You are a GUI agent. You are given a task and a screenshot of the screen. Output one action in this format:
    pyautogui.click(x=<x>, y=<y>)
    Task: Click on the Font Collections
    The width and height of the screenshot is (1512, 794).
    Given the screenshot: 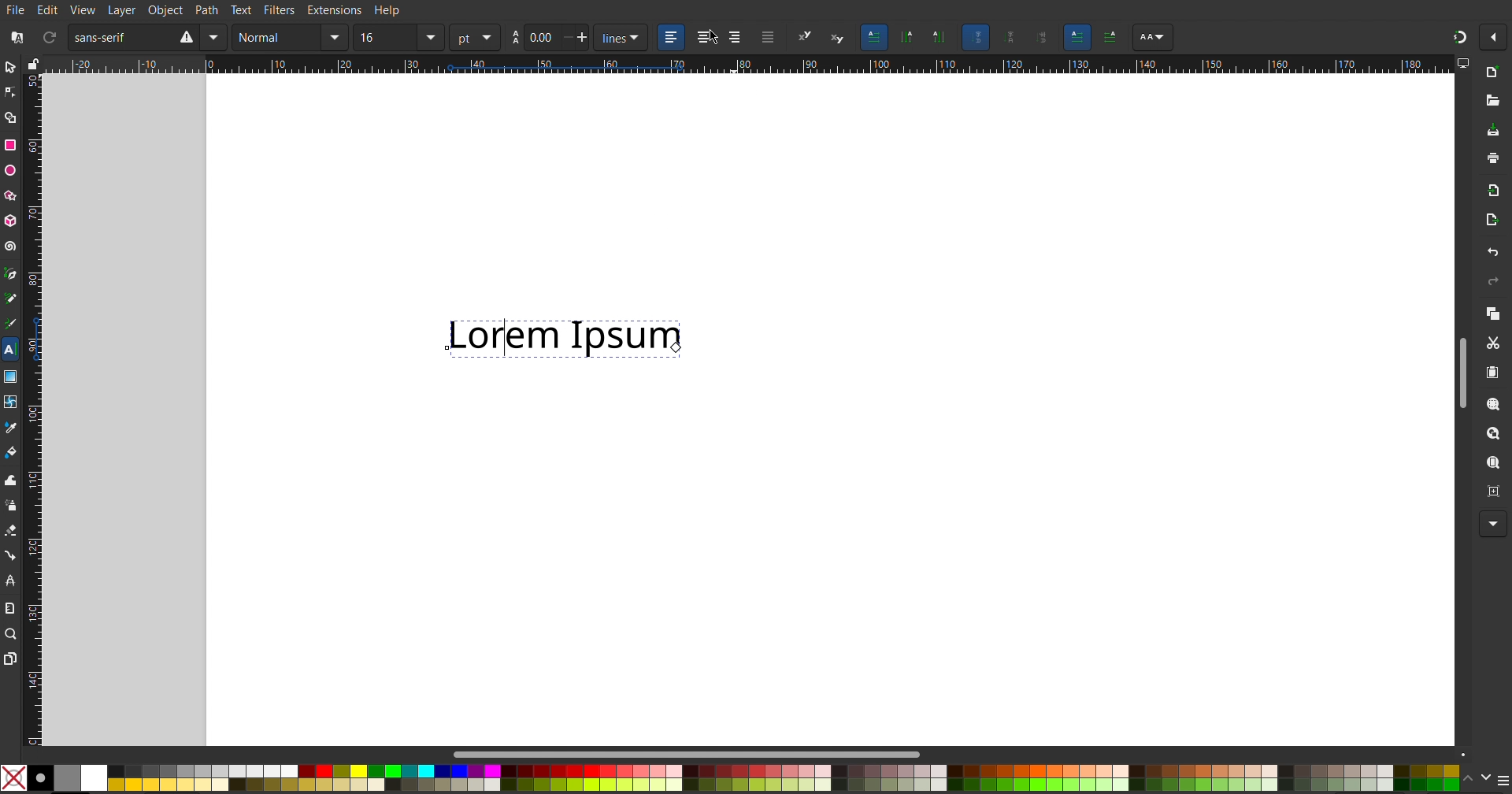 What is the action you would take?
    pyautogui.click(x=16, y=38)
    